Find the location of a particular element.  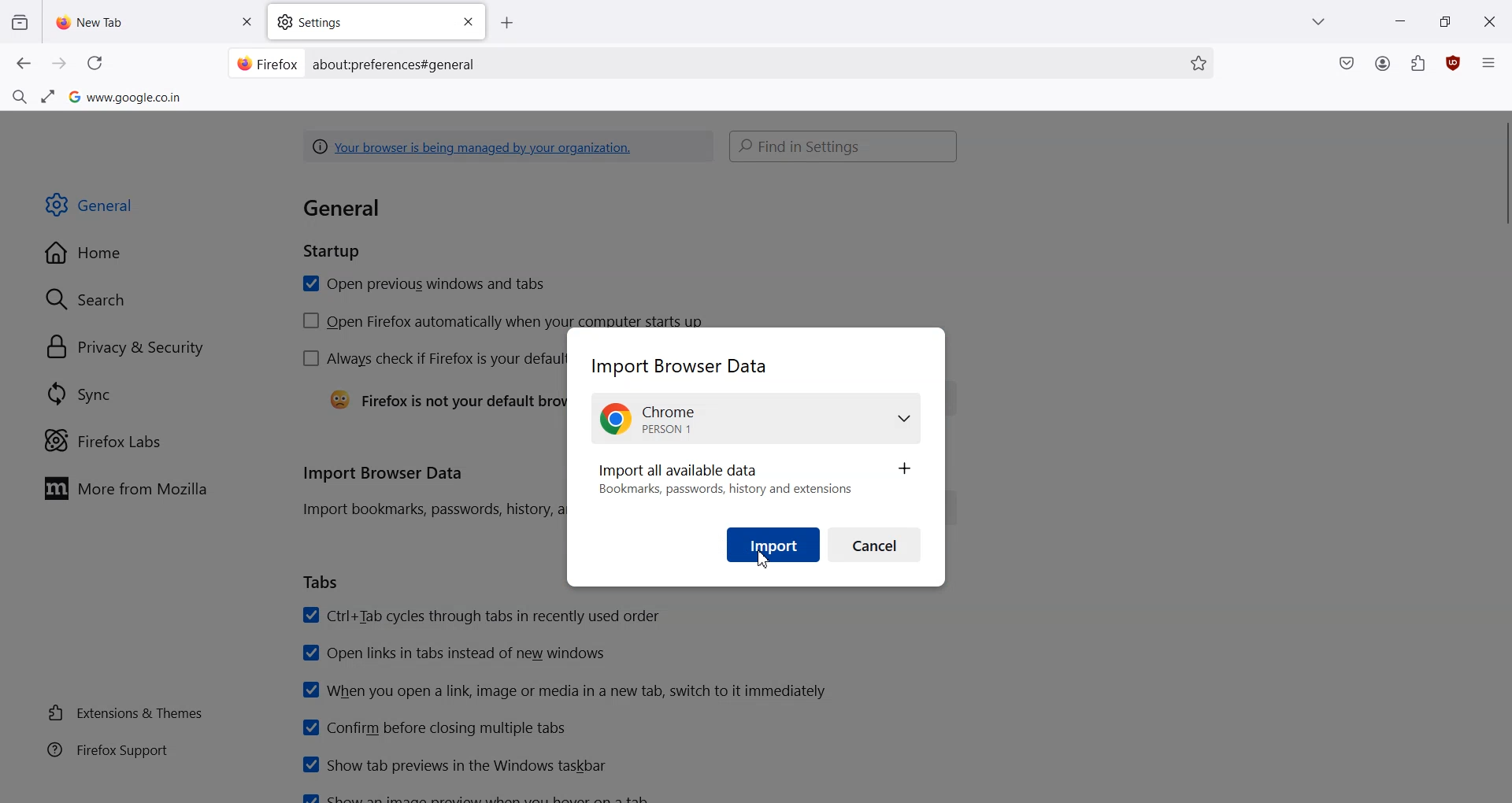

Tabs is located at coordinates (322, 583).